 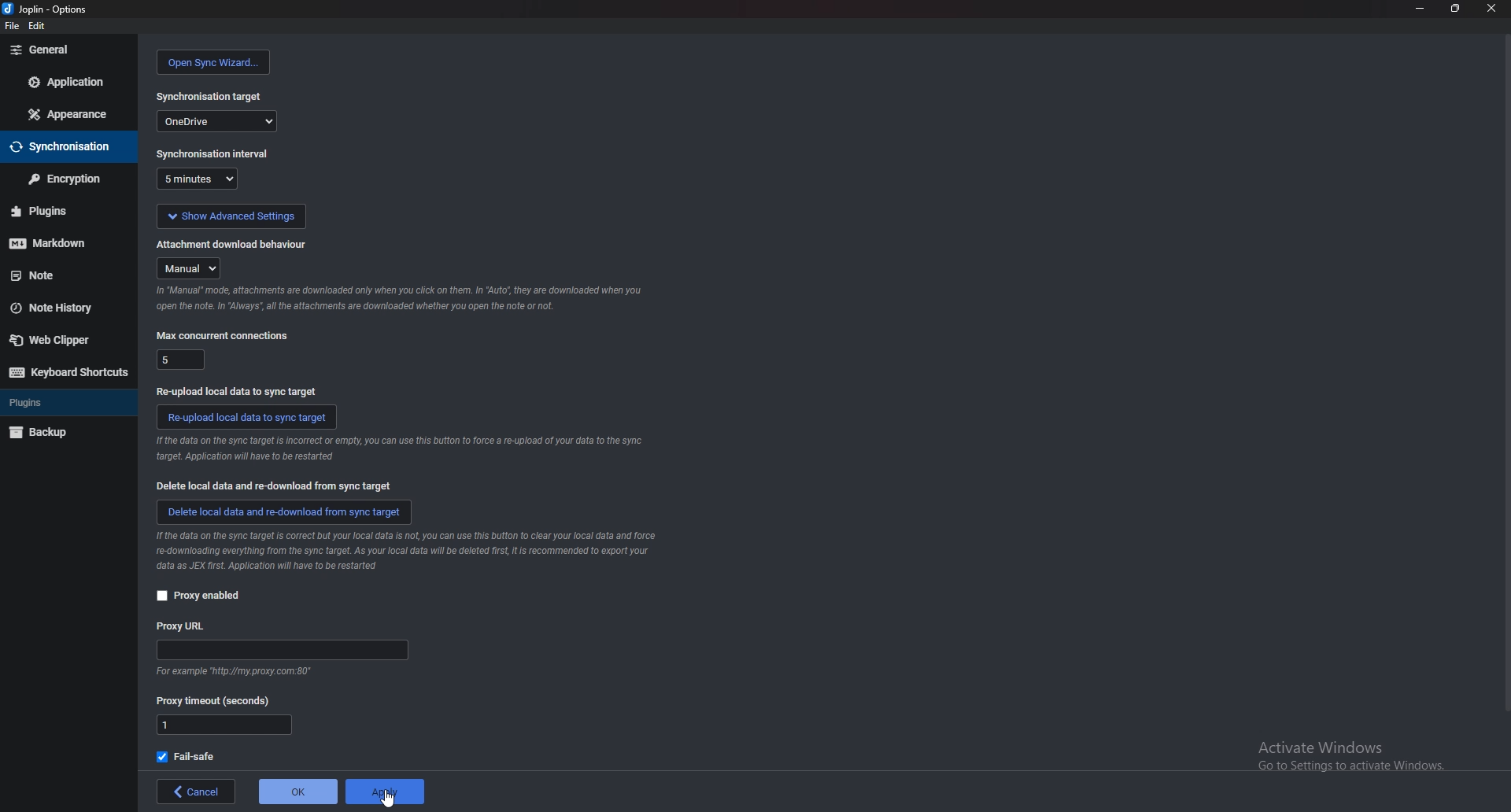 What do you see at coordinates (1352, 749) in the screenshot?
I see `Activate Windows` at bounding box center [1352, 749].